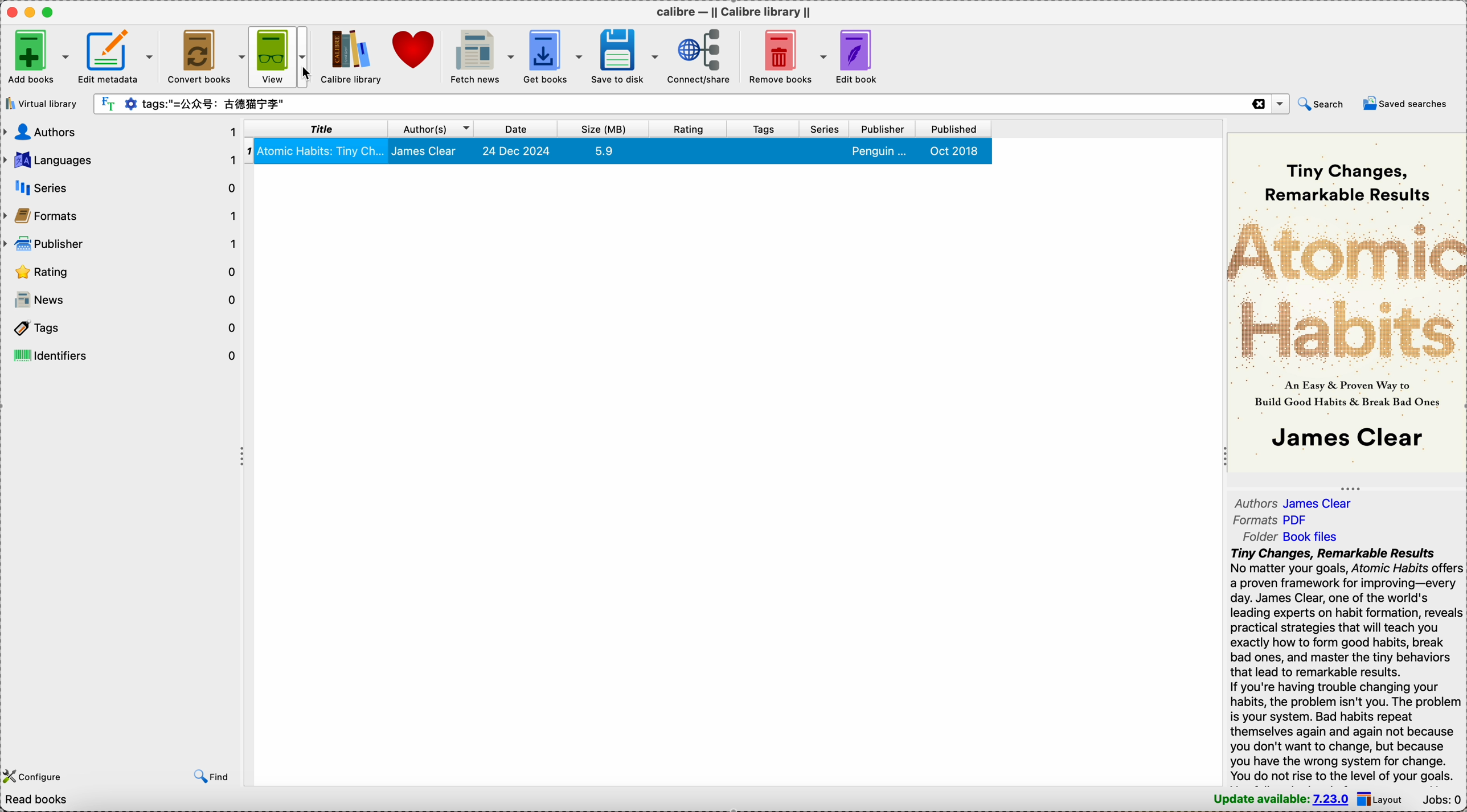 The width and height of the screenshot is (1467, 812). I want to click on fetch news, so click(481, 55).